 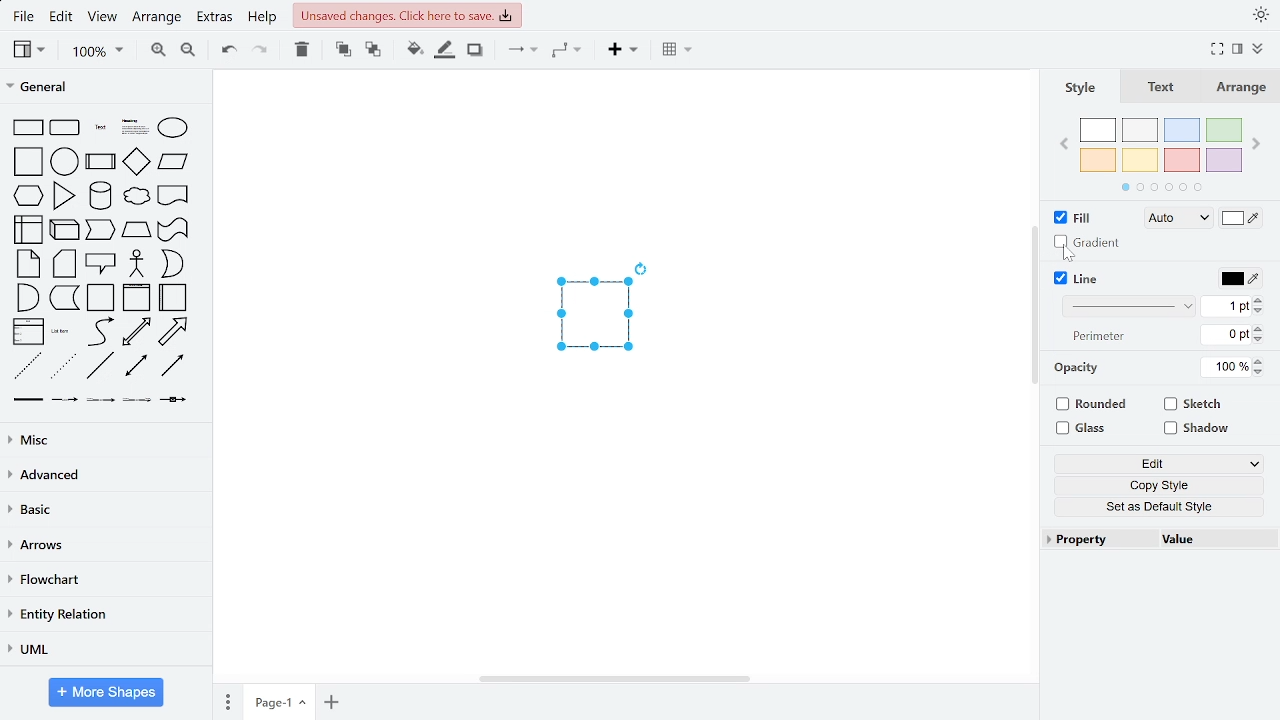 I want to click on fill color, so click(x=1242, y=218).